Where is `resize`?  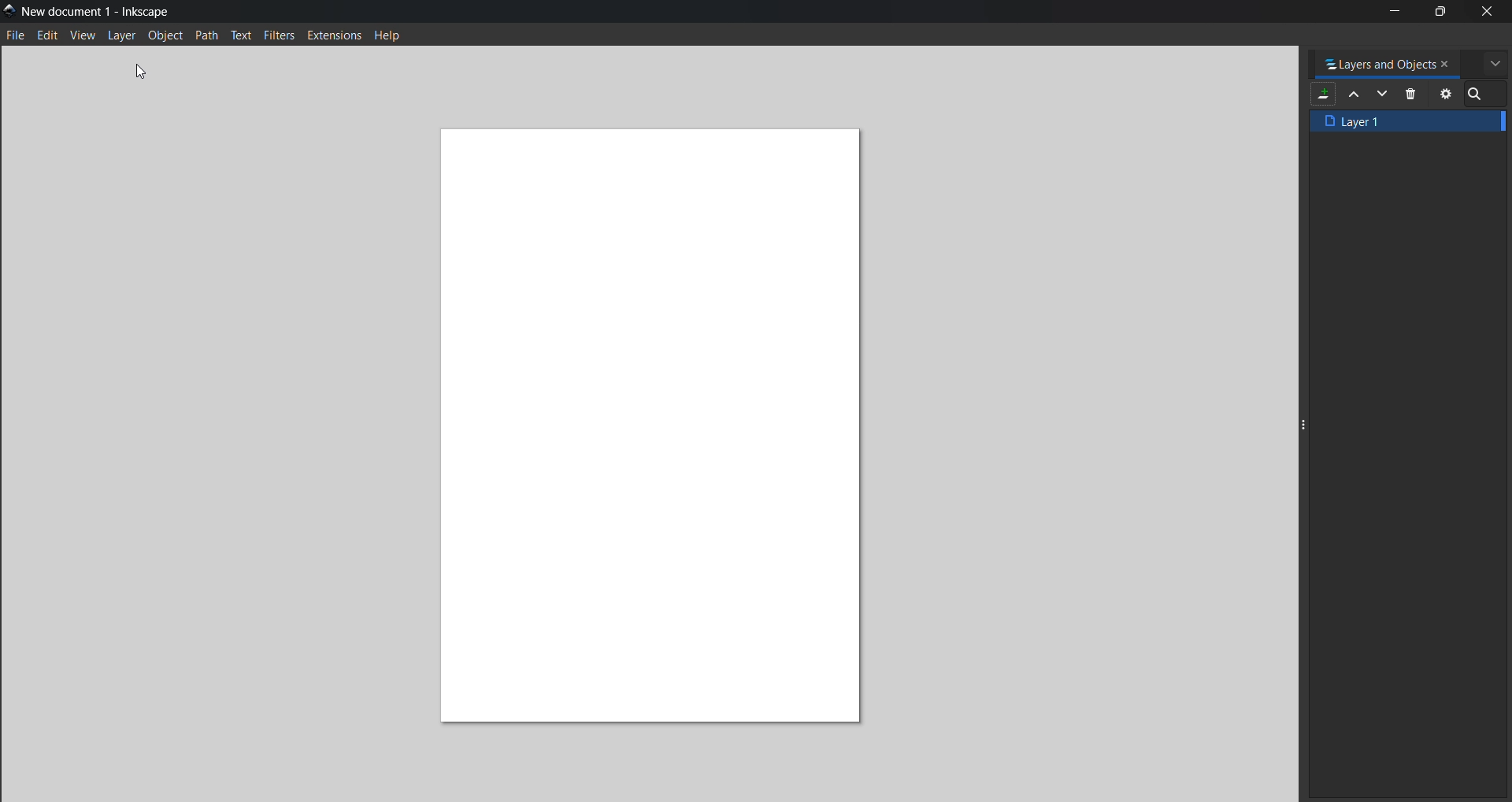 resize is located at coordinates (1302, 420).